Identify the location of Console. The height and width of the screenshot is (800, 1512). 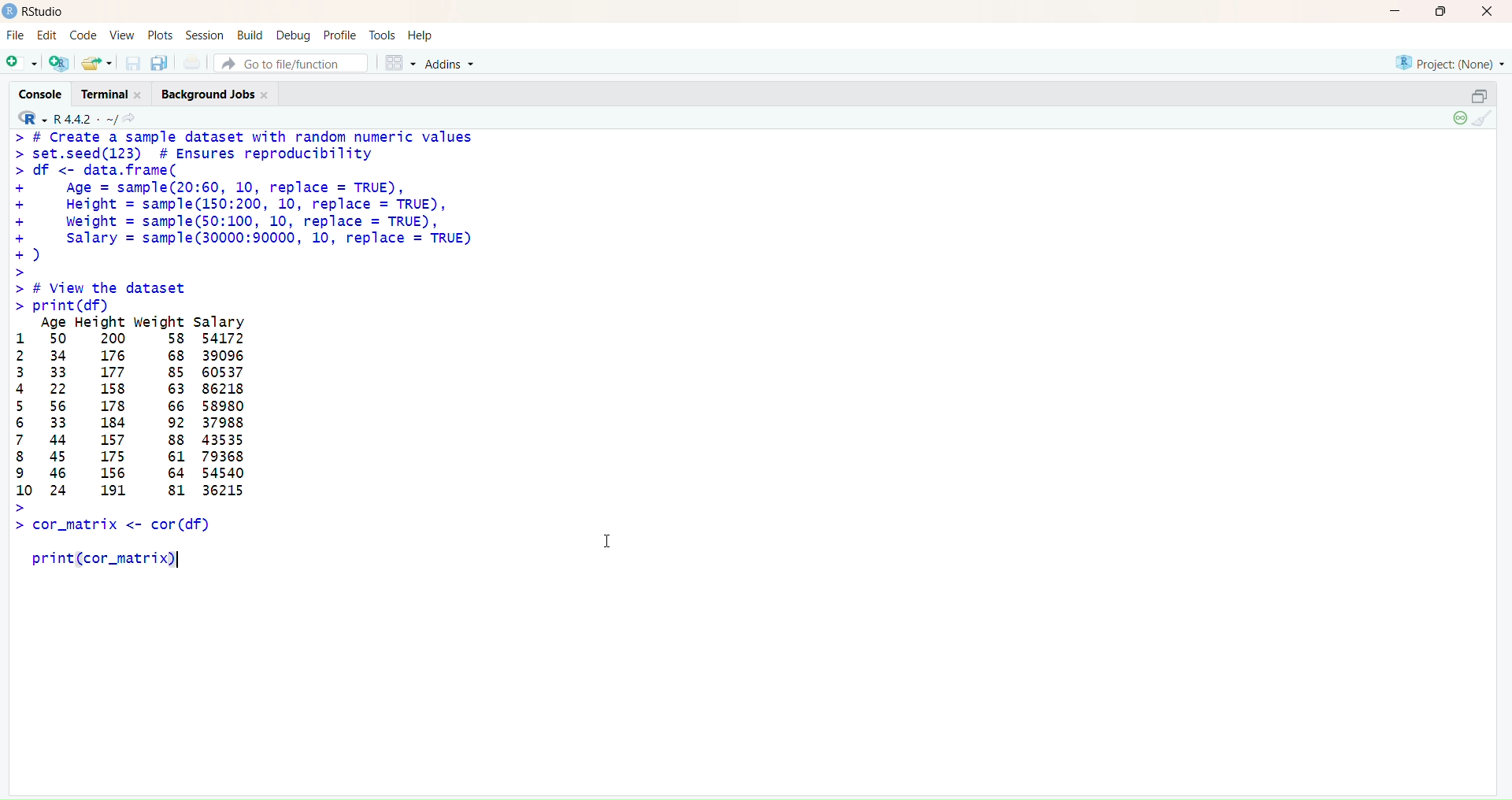
(46, 93).